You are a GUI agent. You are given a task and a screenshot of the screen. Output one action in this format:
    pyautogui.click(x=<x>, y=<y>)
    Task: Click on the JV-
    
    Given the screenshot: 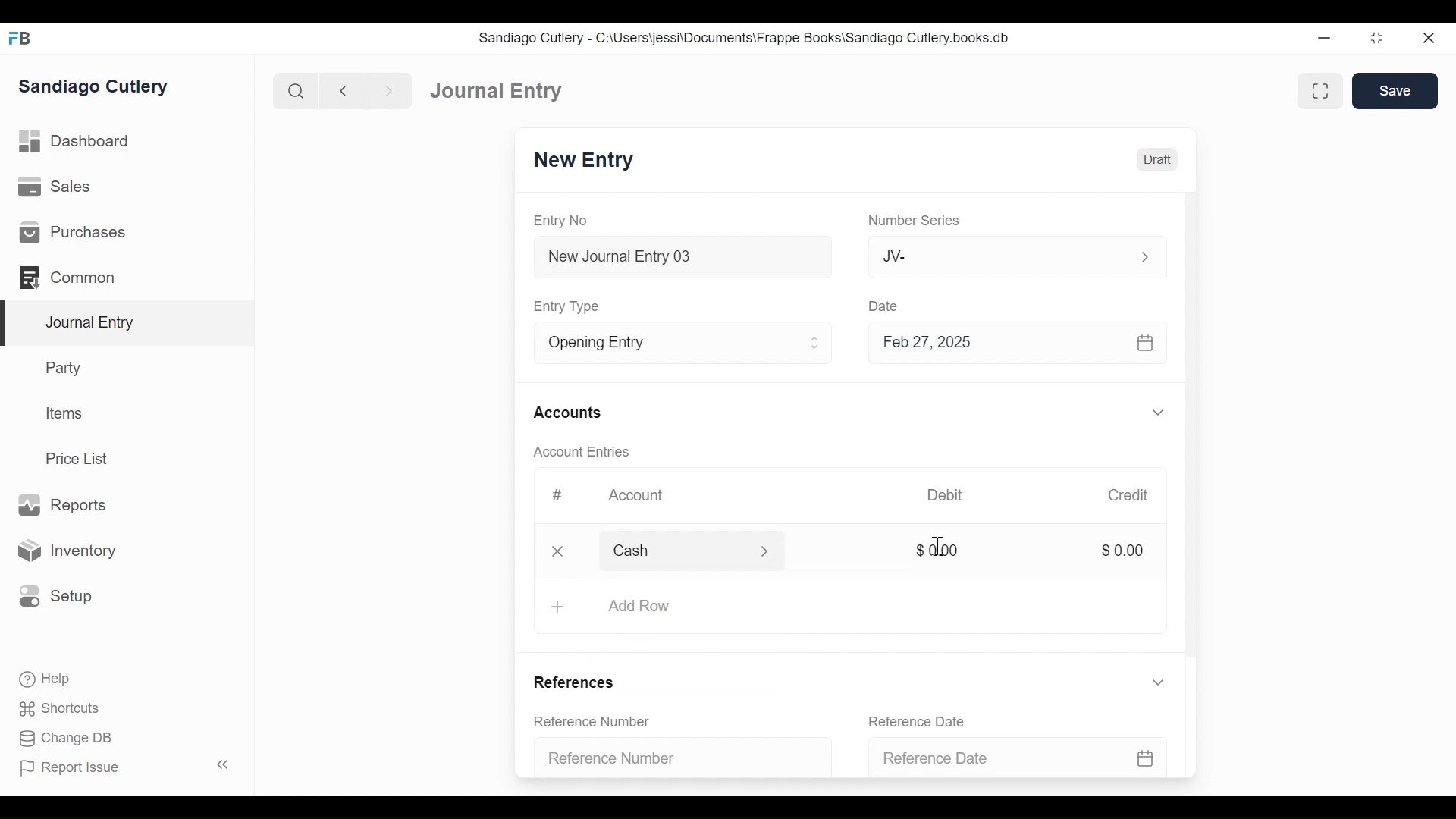 What is the action you would take?
    pyautogui.click(x=990, y=256)
    